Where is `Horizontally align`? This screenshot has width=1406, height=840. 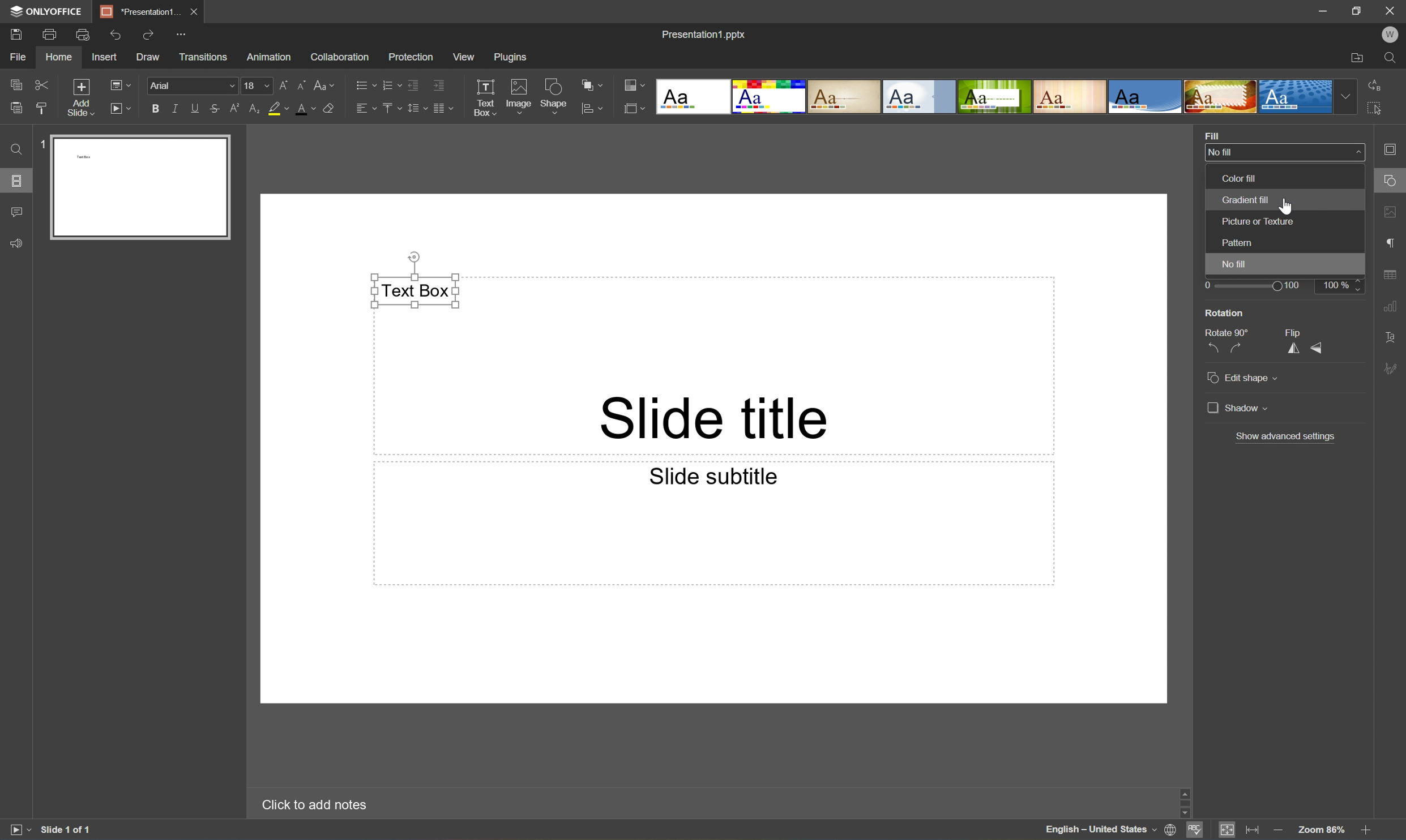 Horizontally align is located at coordinates (362, 109).